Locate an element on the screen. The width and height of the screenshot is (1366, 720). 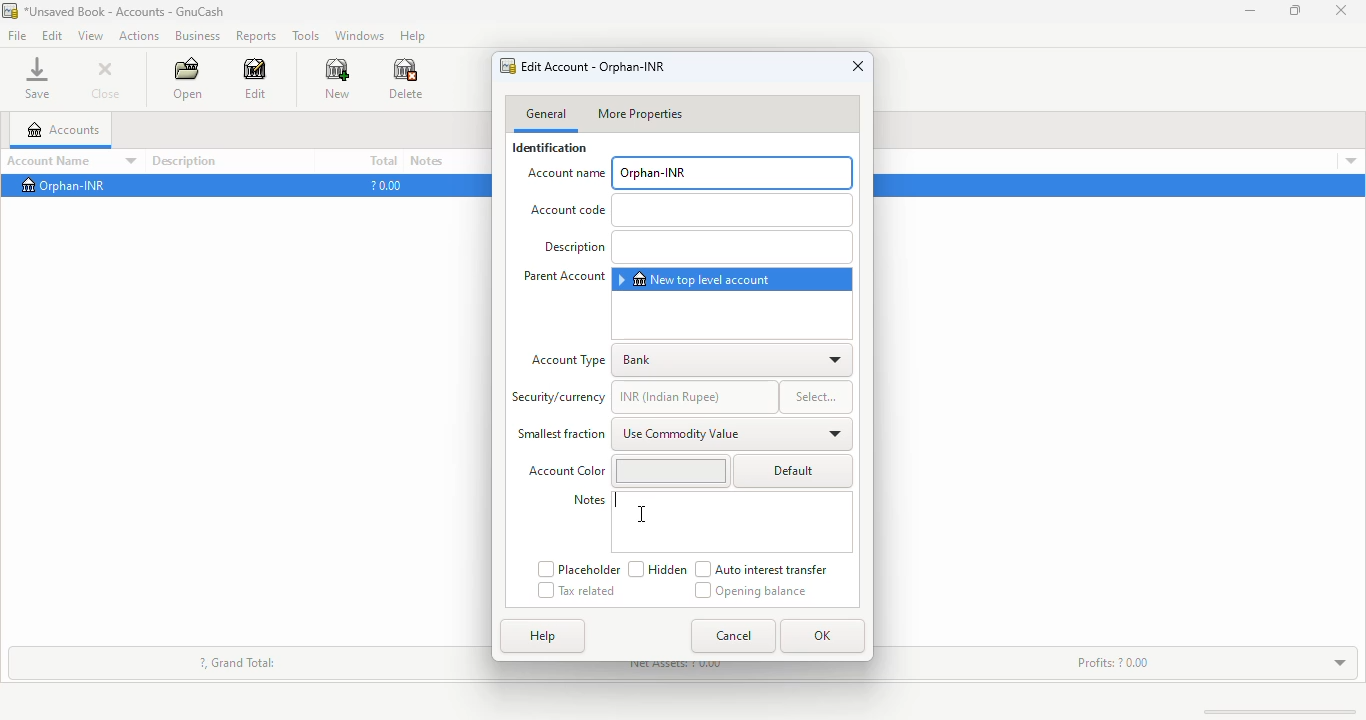
close is located at coordinates (859, 65).